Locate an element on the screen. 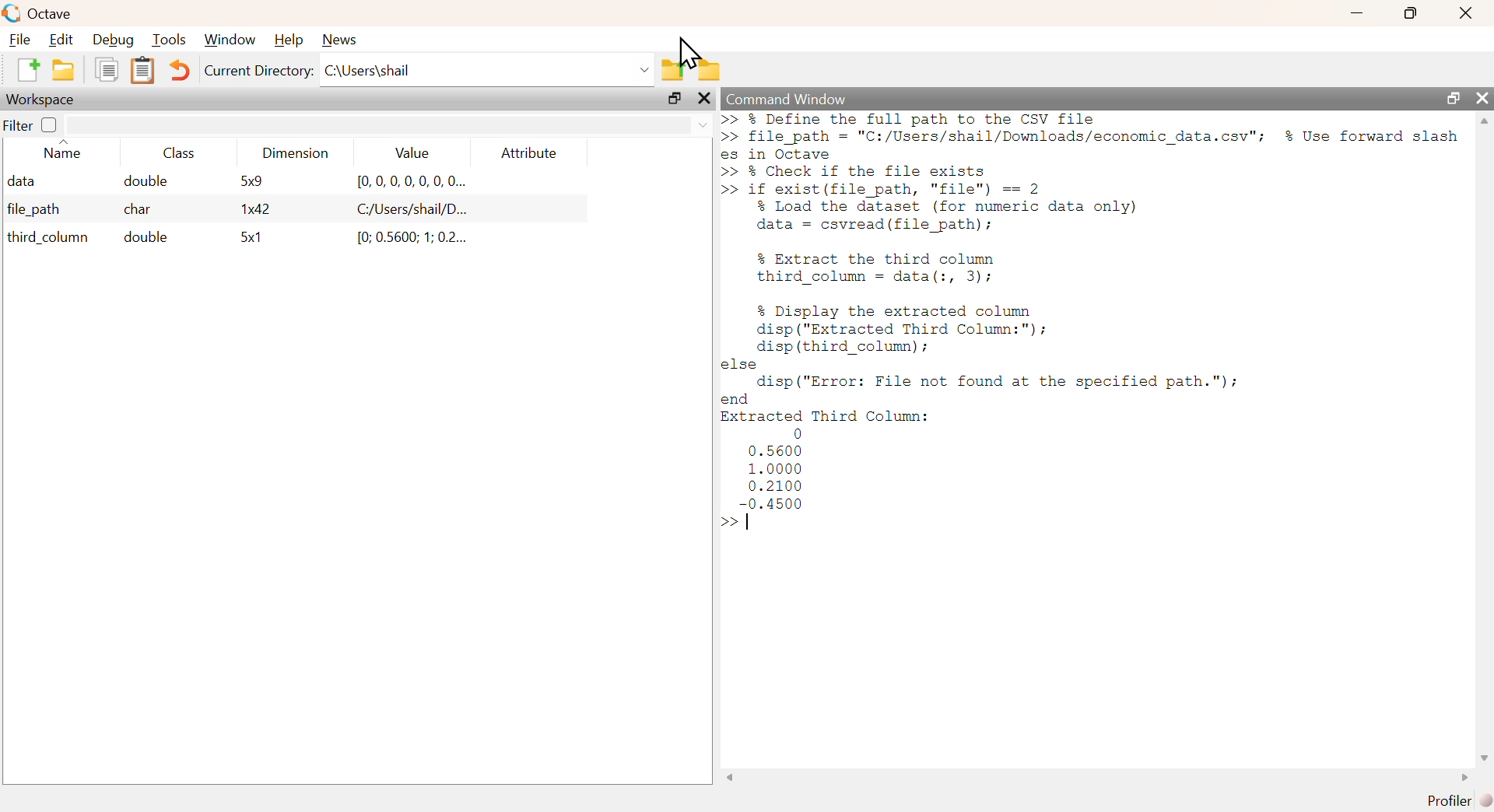 This screenshot has width=1494, height=812. current directory is located at coordinates (258, 71).